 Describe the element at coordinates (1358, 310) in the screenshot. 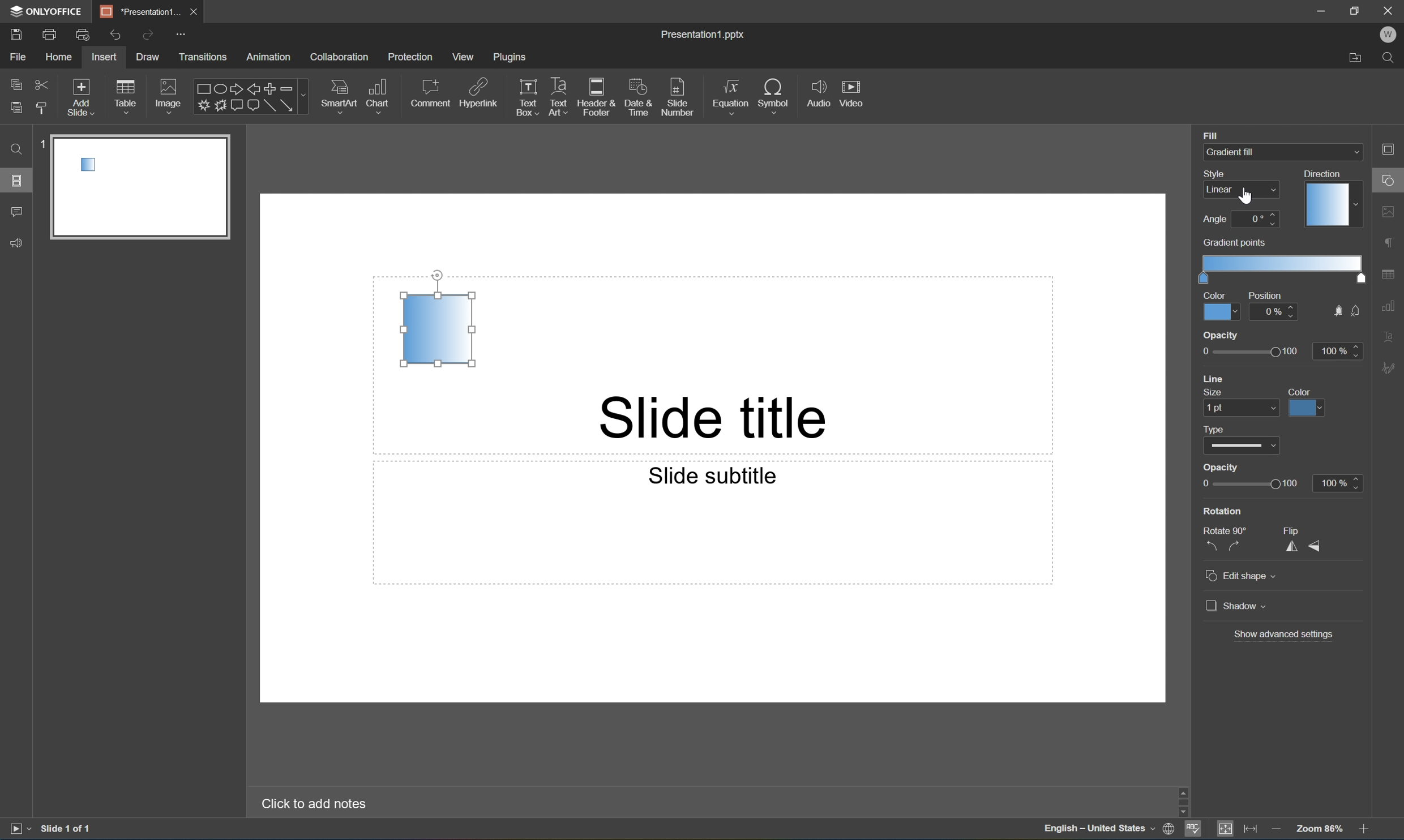

I see `` at that location.